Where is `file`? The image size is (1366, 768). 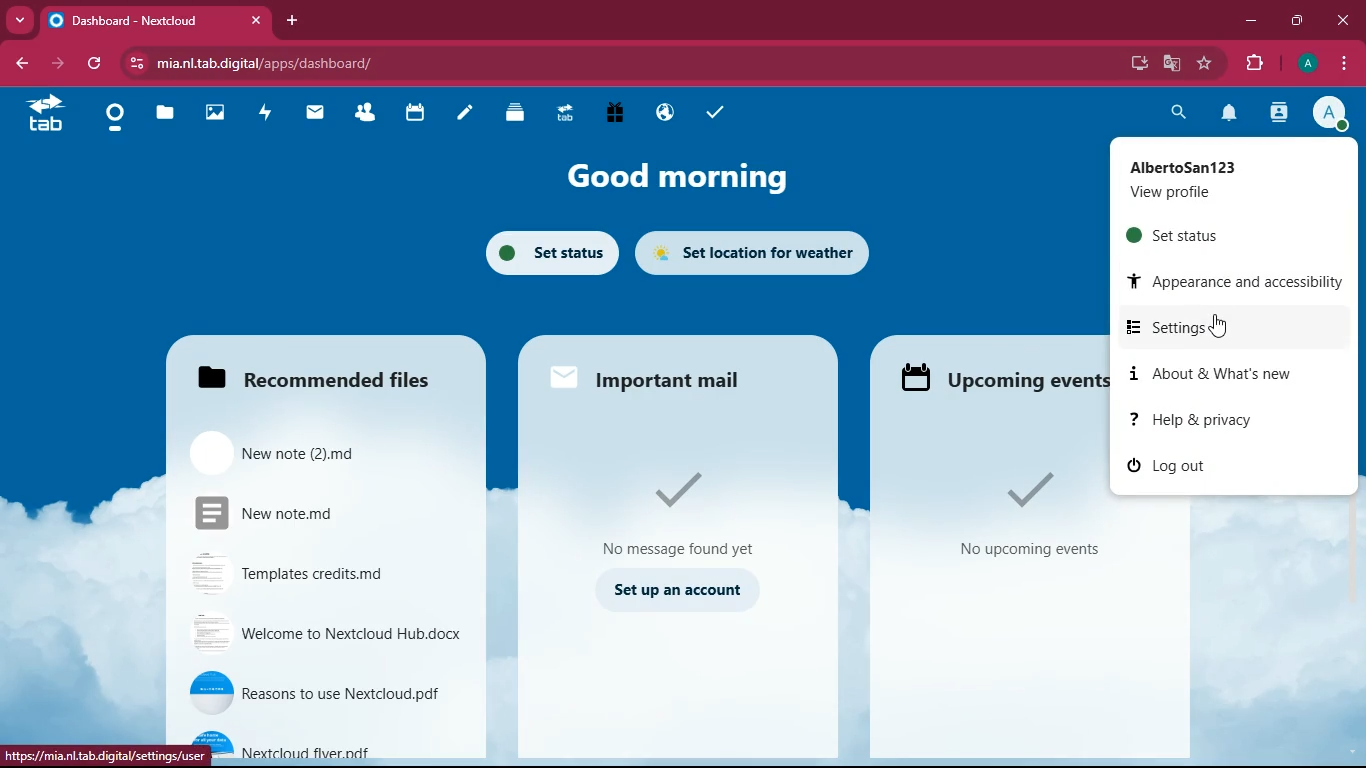
file is located at coordinates (162, 113).